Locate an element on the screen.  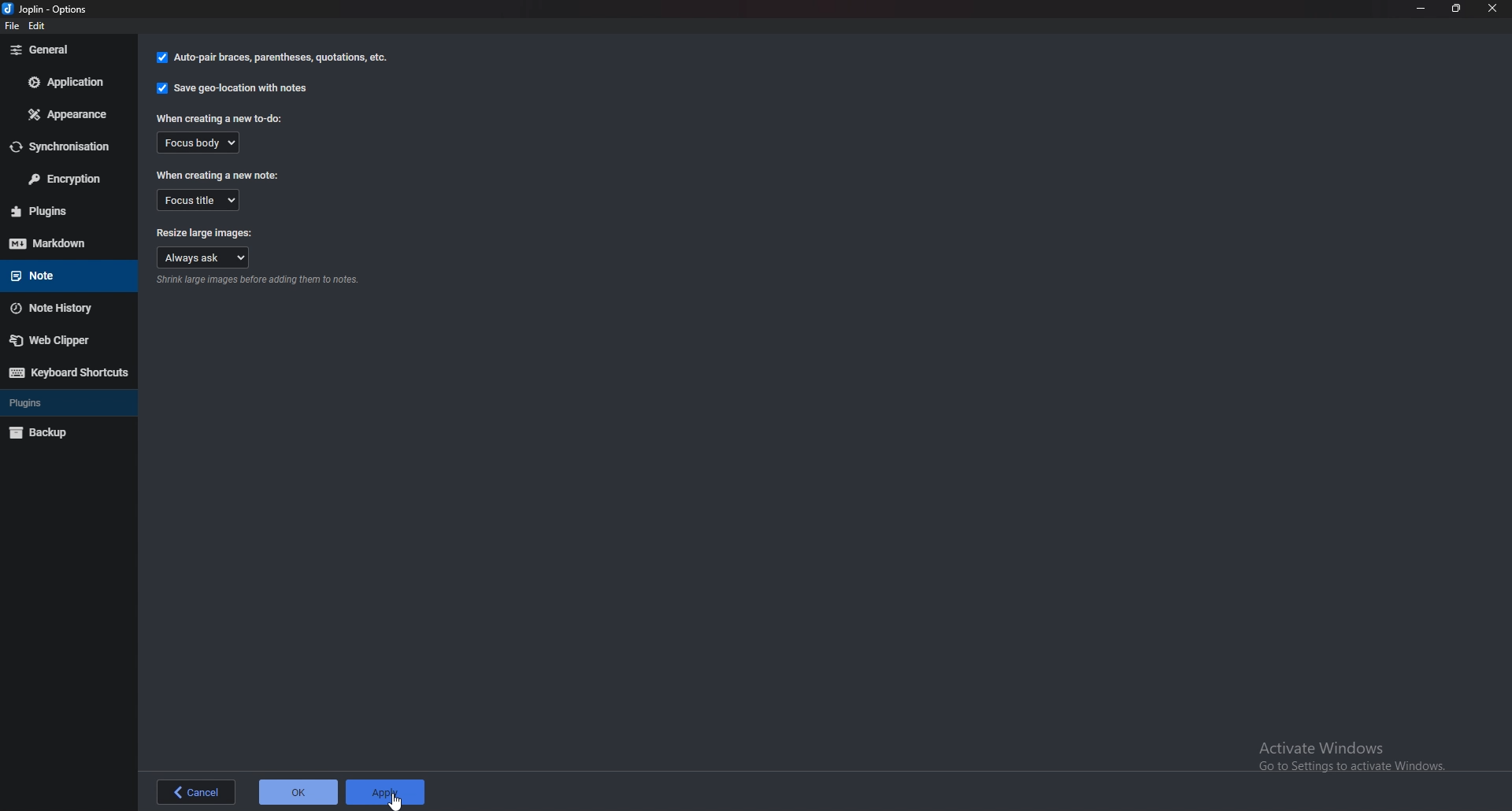
Autopair braces parenthesis, quotation, etc. is located at coordinates (272, 57).